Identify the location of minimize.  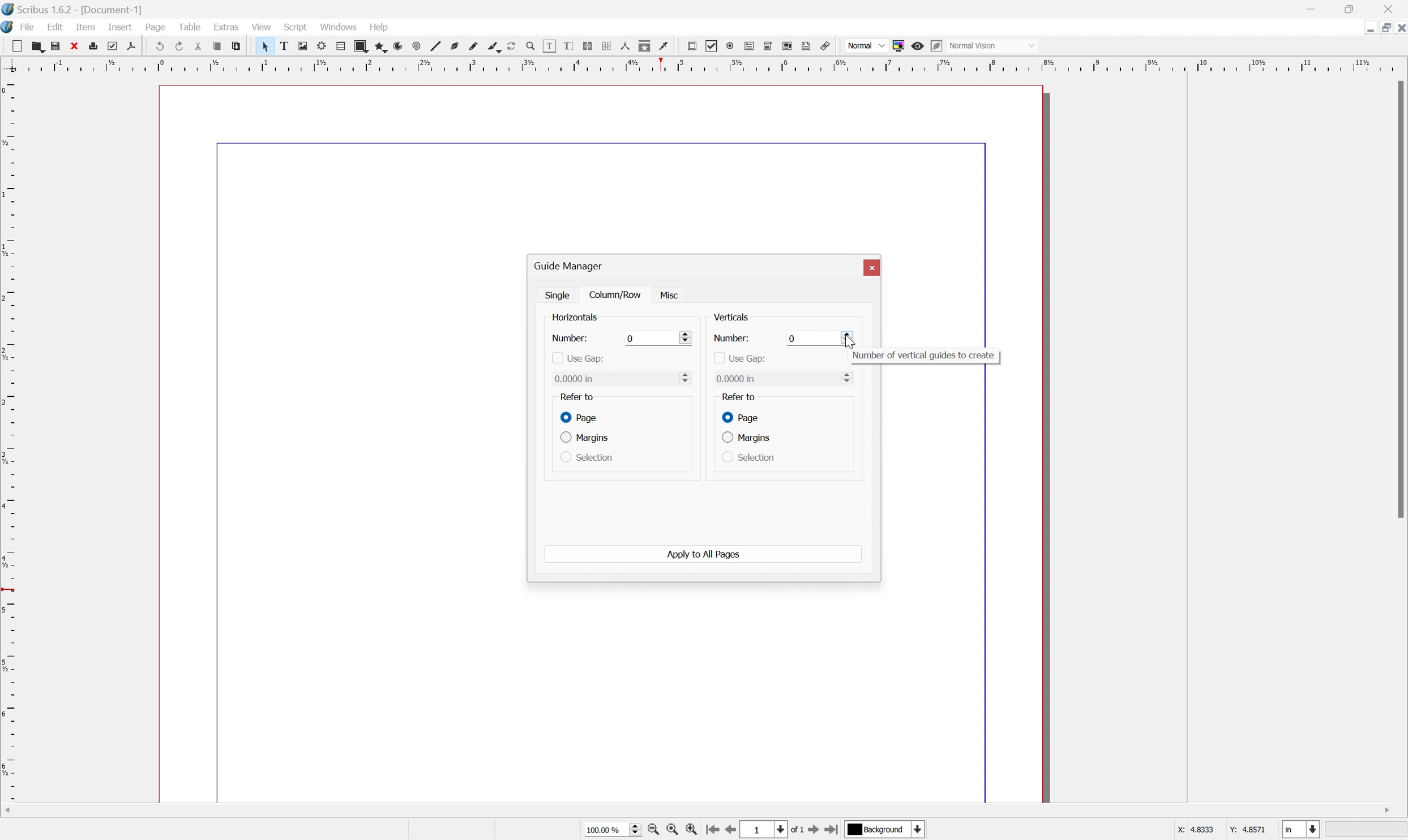
(1311, 7).